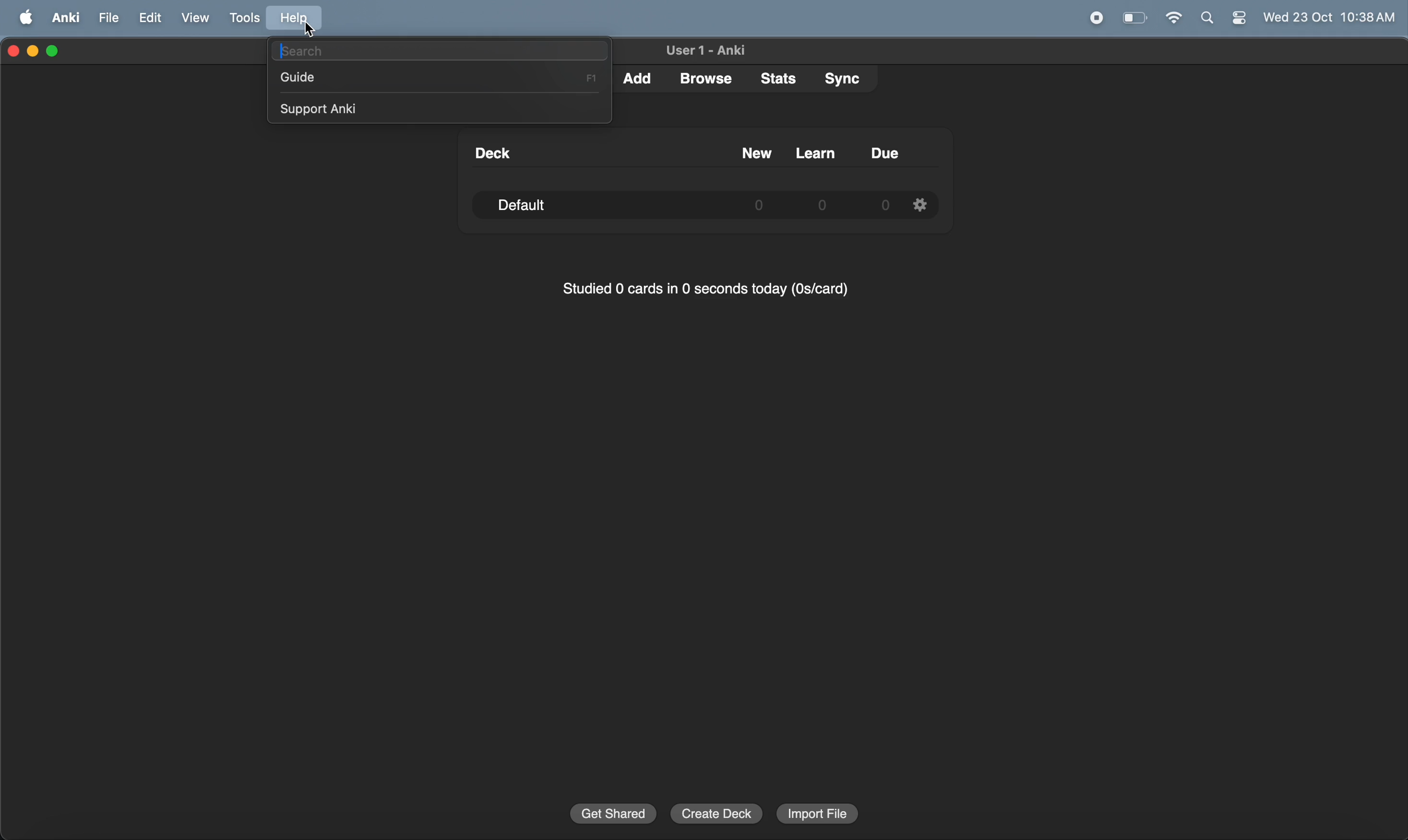 Image resolution: width=1408 pixels, height=840 pixels. What do you see at coordinates (191, 19) in the screenshot?
I see `view` at bounding box center [191, 19].